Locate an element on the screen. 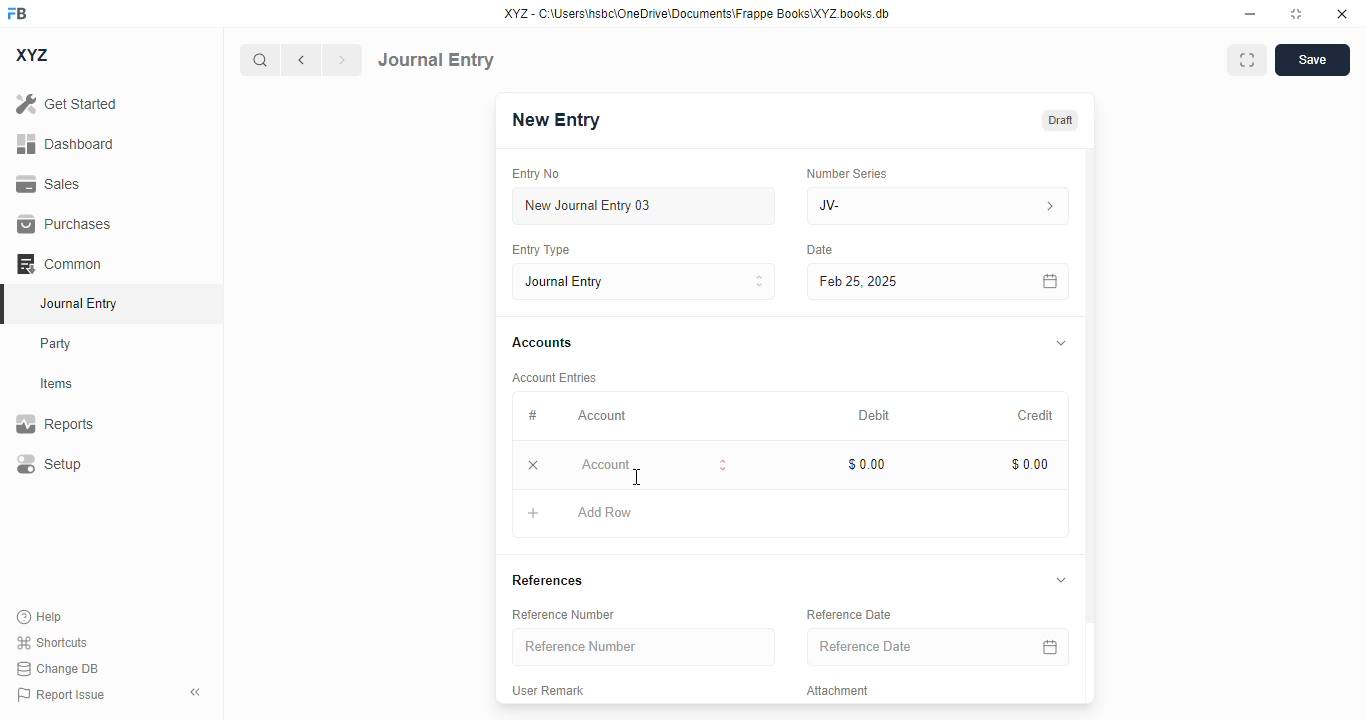 The image size is (1366, 720). calendar icon is located at coordinates (1051, 282).